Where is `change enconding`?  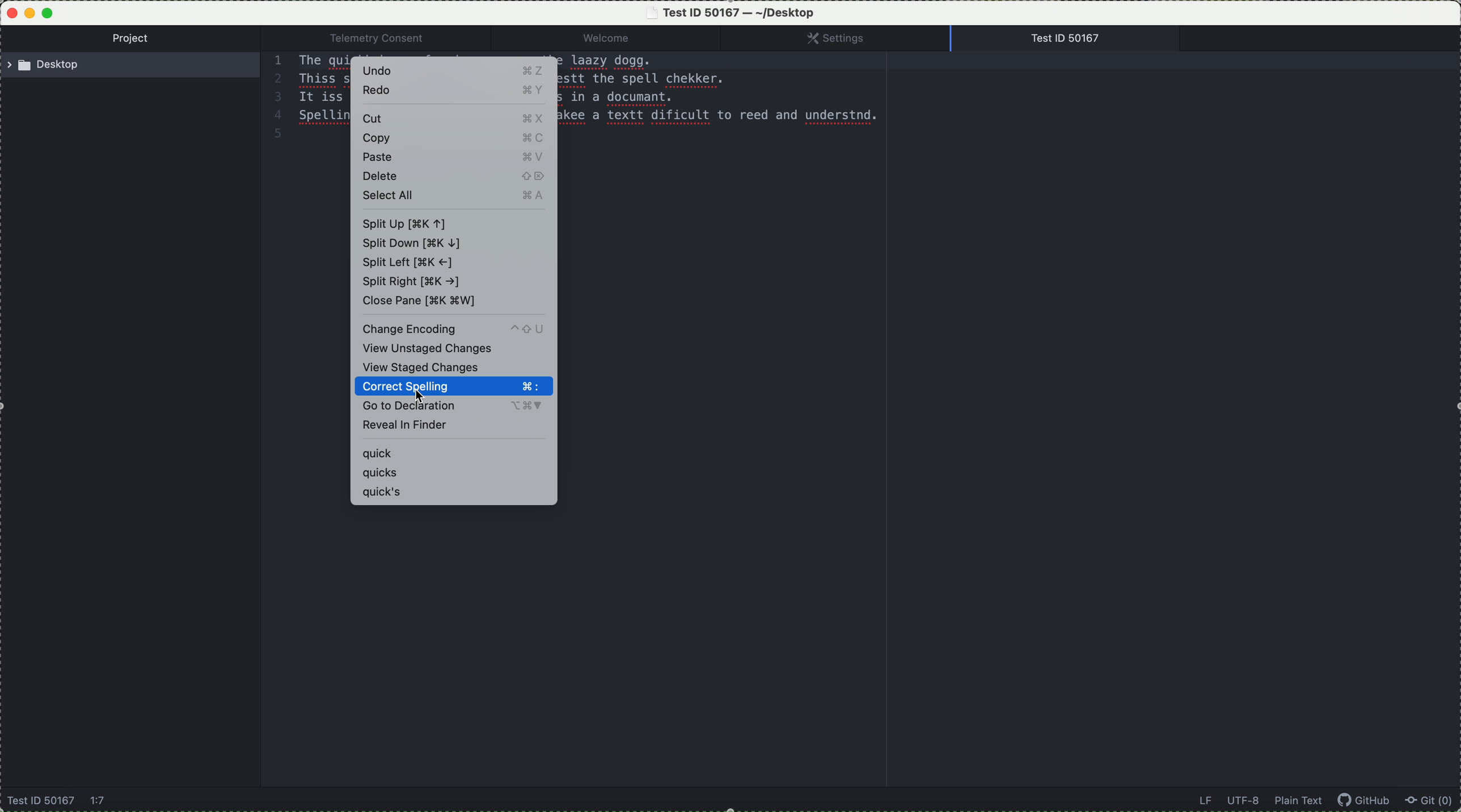 change enconding is located at coordinates (454, 328).